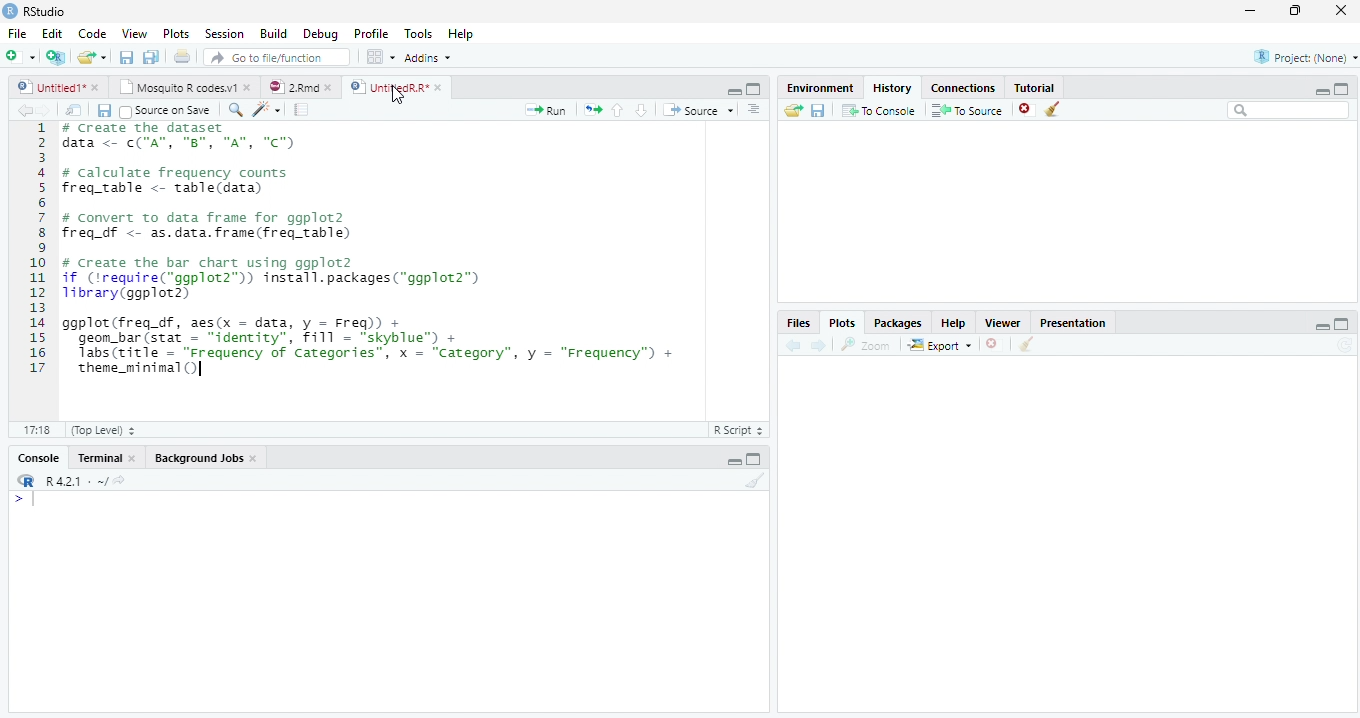  I want to click on Plots, so click(177, 35).